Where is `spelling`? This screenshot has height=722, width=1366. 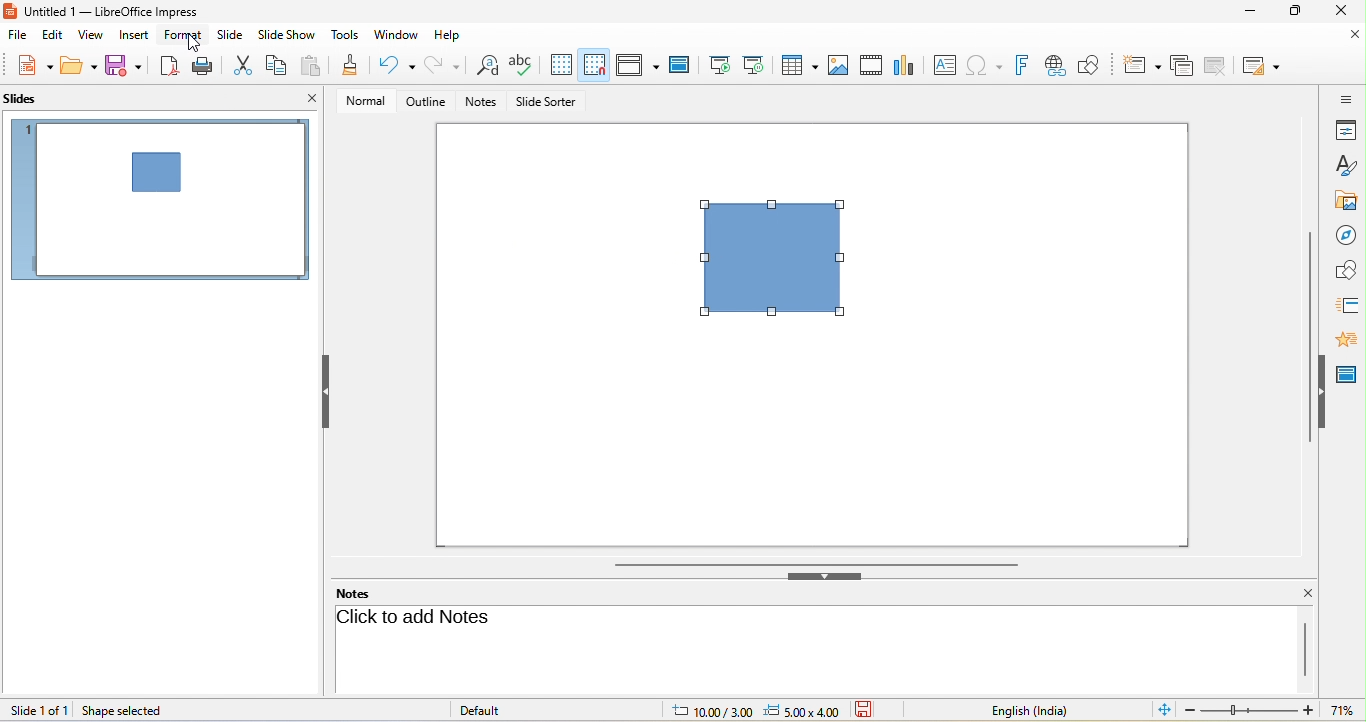
spelling is located at coordinates (522, 63).